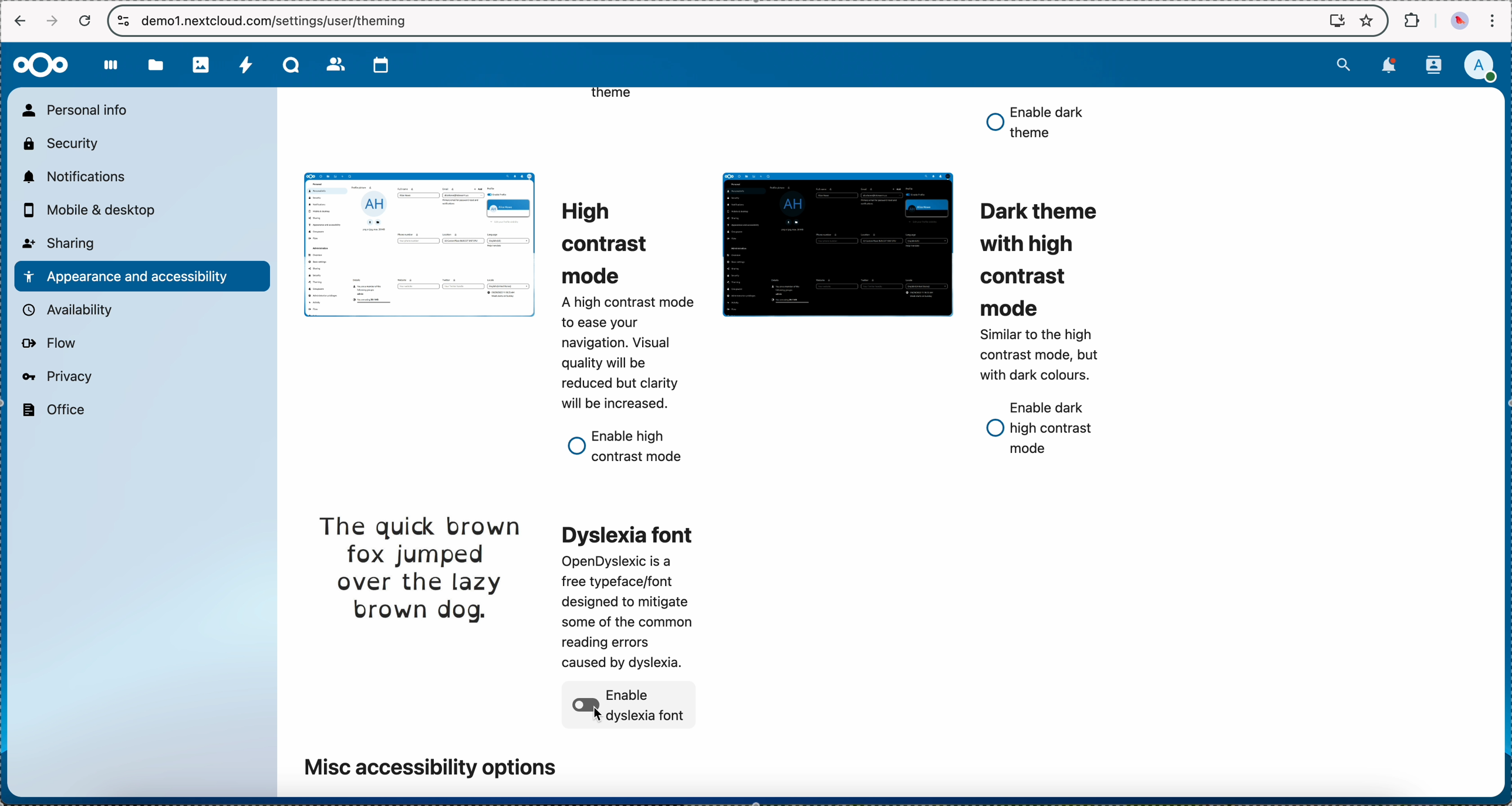  Describe the element at coordinates (157, 69) in the screenshot. I see `files` at that location.